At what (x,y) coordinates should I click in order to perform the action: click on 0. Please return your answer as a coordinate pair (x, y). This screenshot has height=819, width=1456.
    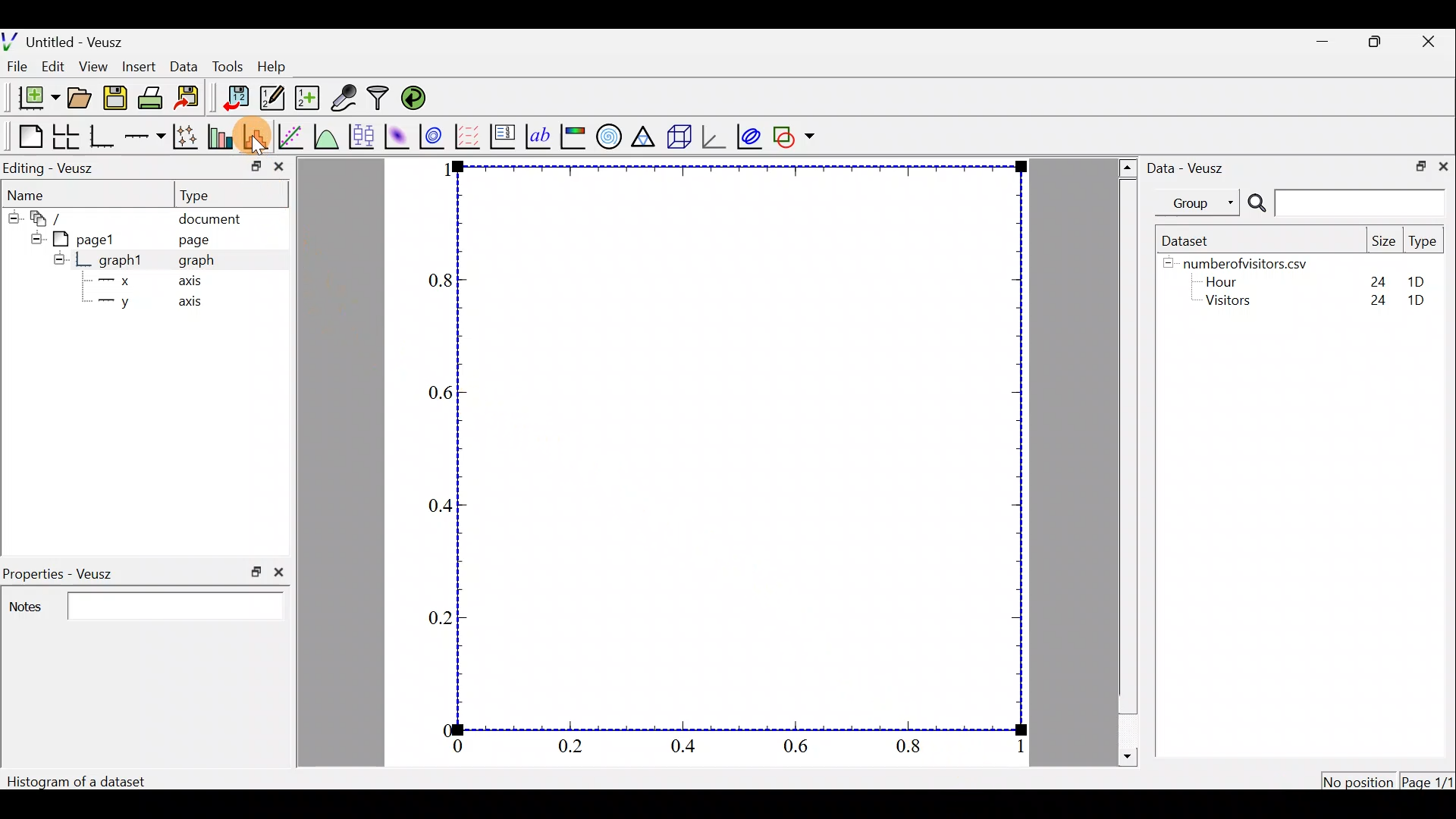
    Looking at the image, I should click on (438, 731).